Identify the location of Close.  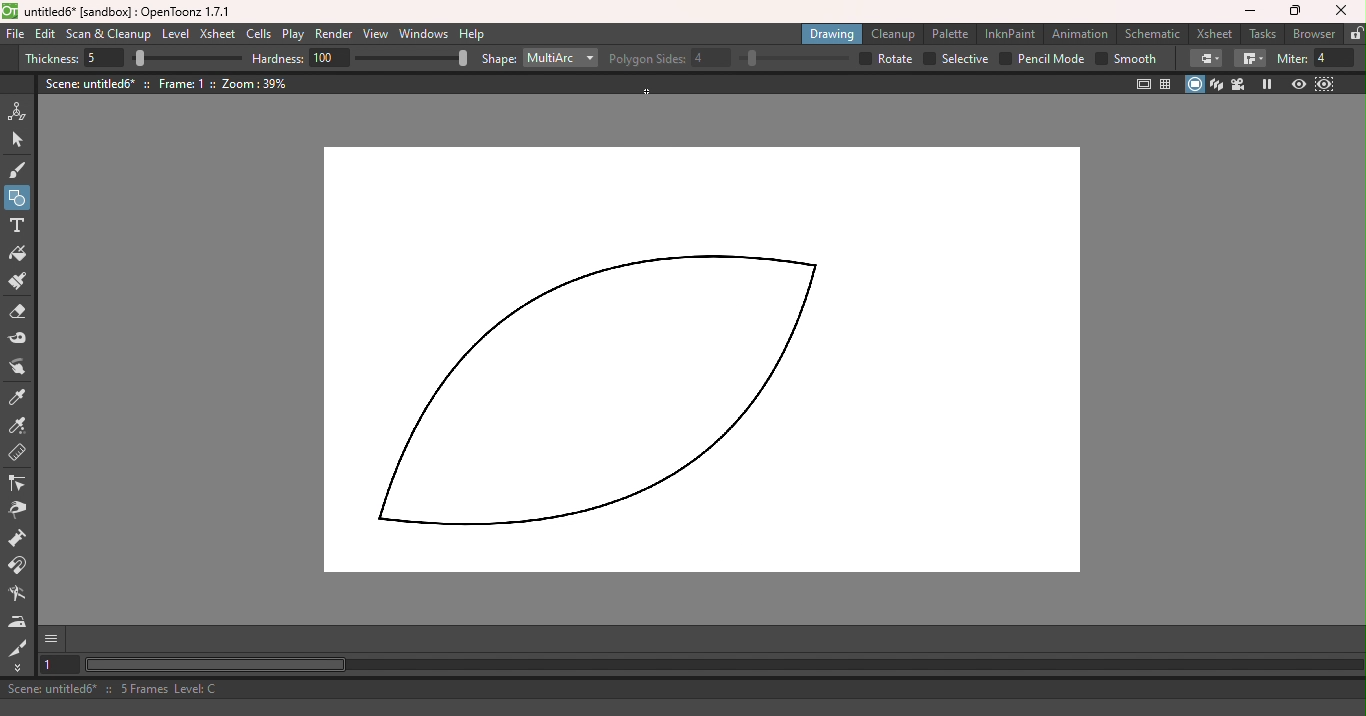
(1344, 11).